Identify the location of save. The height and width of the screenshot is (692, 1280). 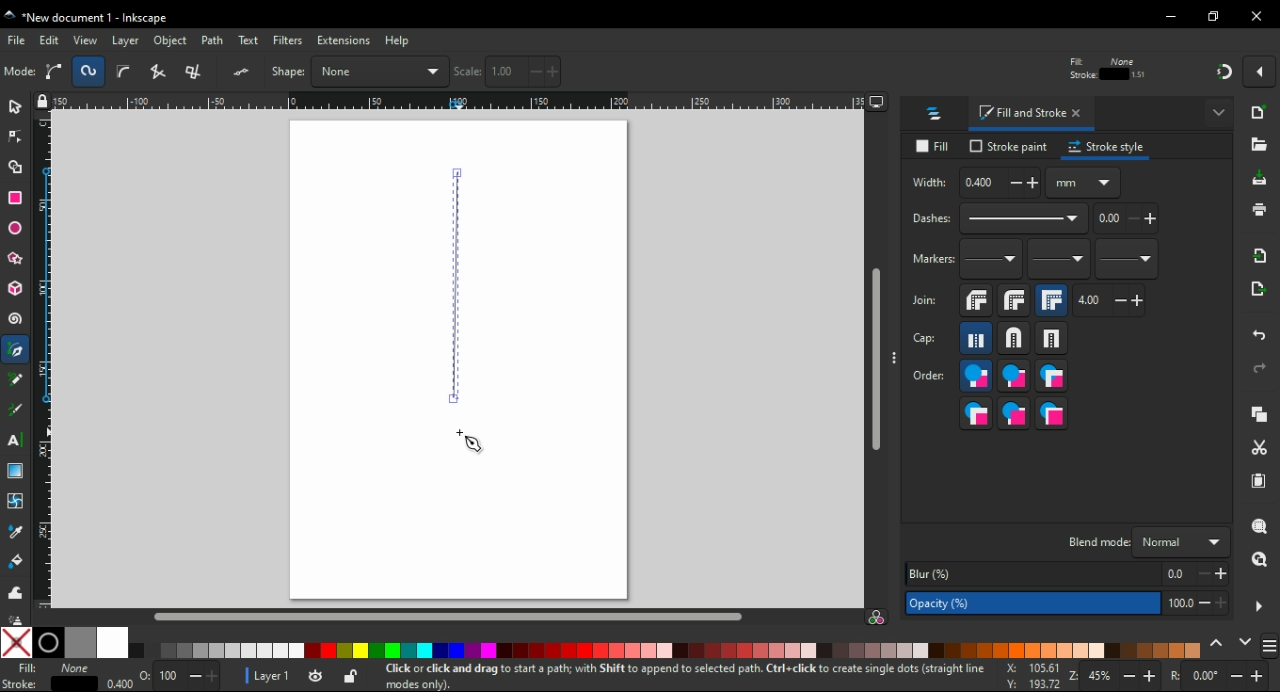
(1260, 179).